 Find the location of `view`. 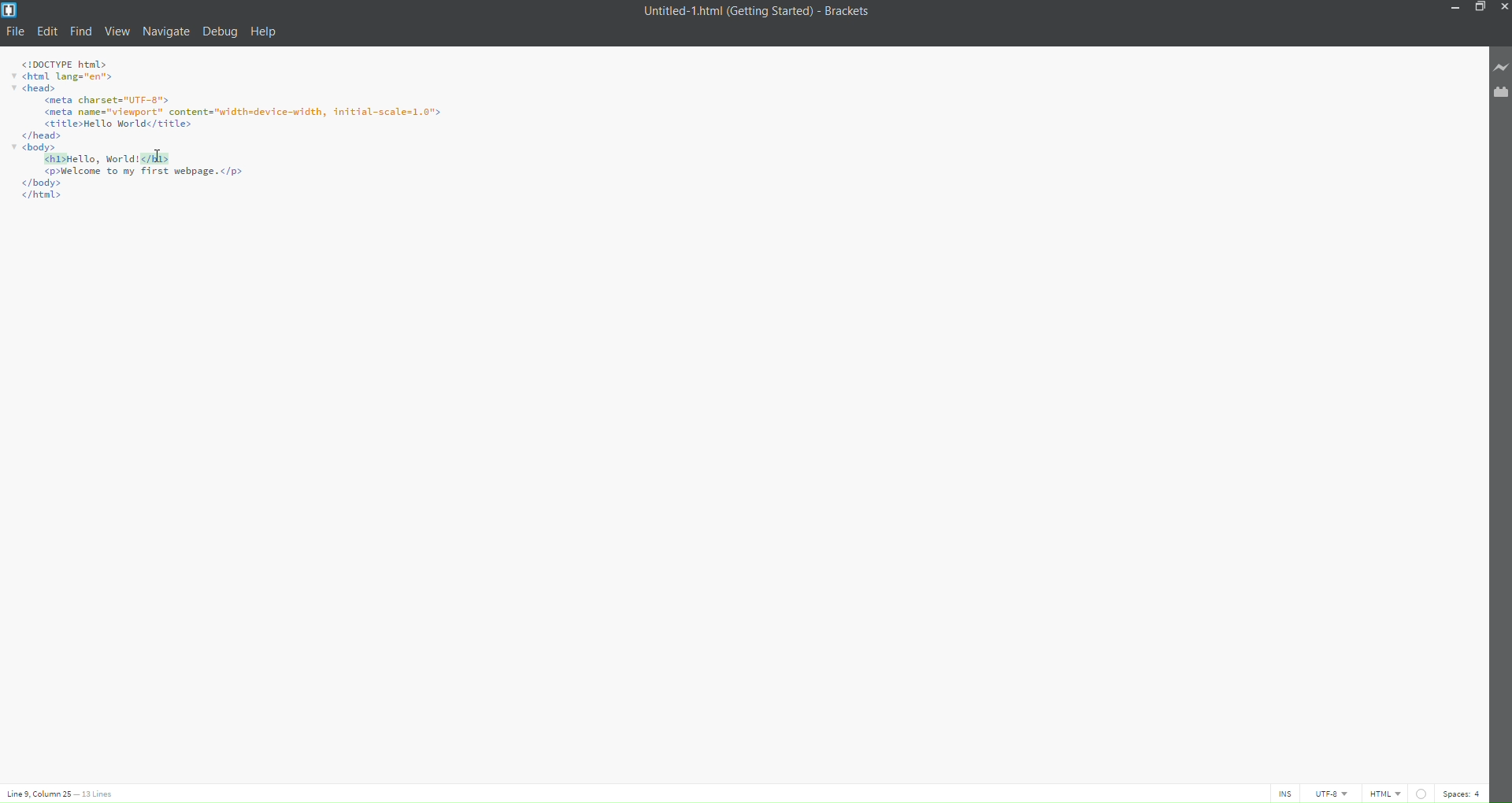

view is located at coordinates (117, 31).